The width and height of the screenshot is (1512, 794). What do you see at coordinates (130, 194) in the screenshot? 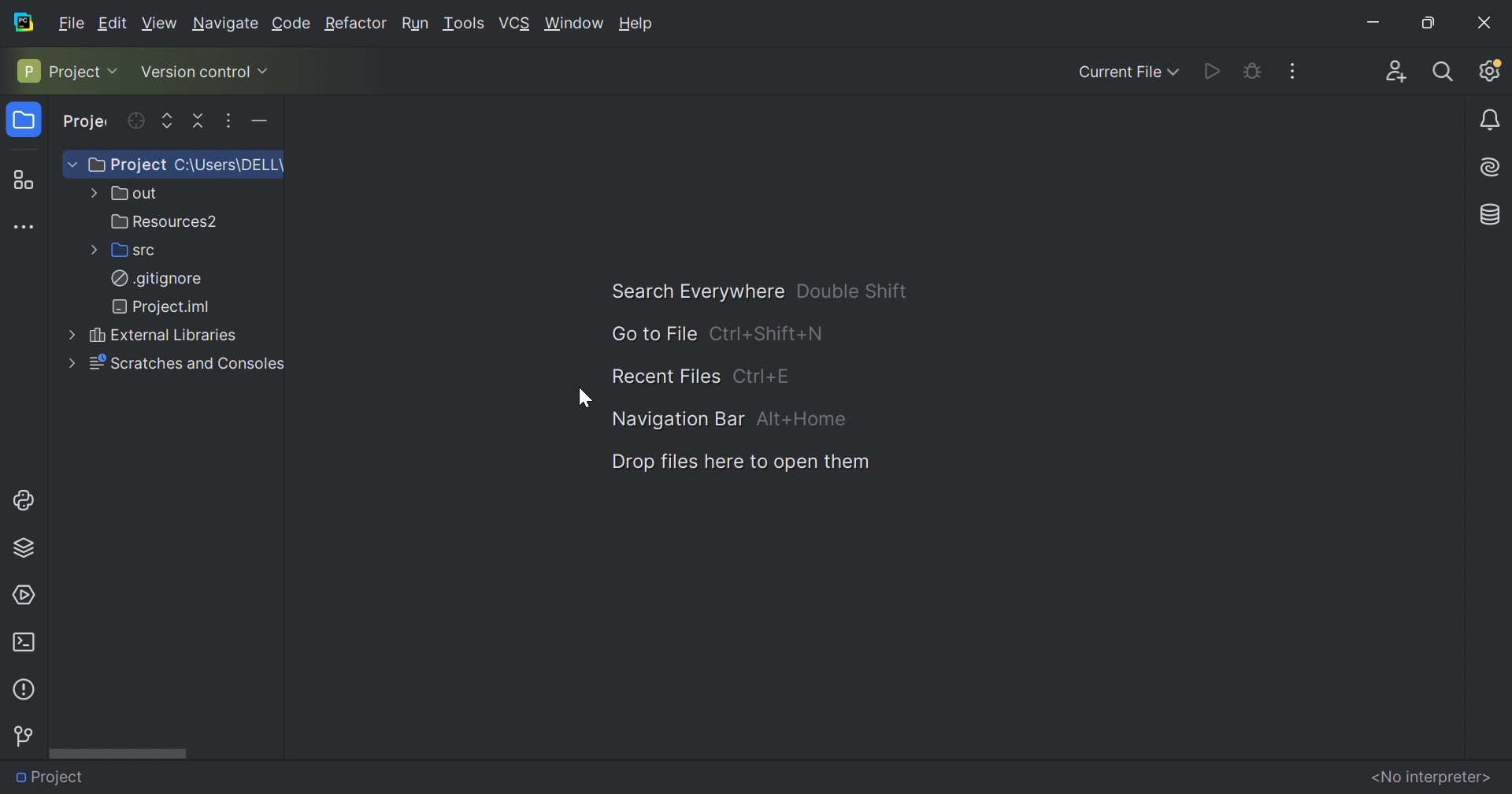
I see `out` at bounding box center [130, 194].